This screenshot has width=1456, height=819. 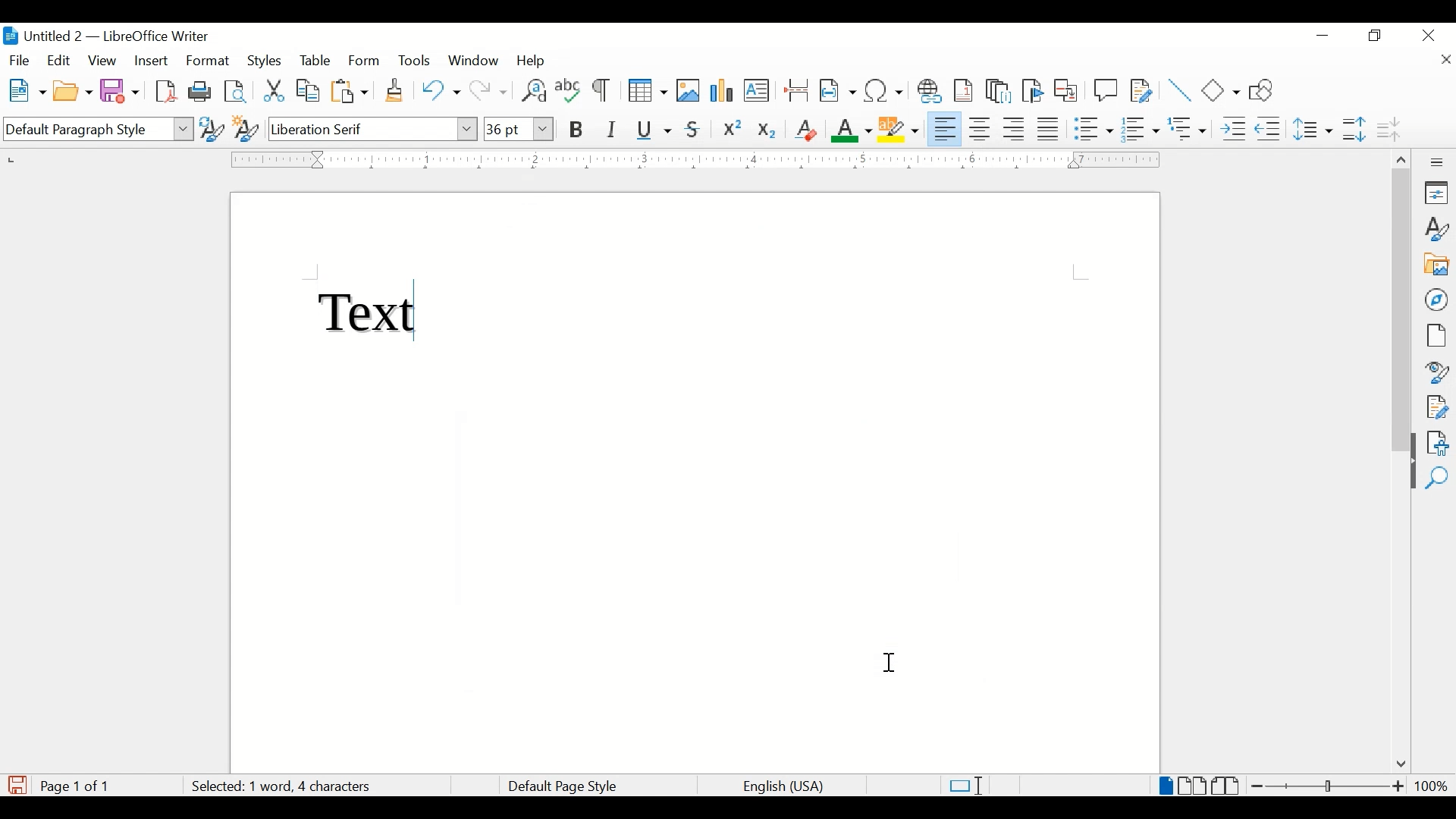 What do you see at coordinates (1445, 61) in the screenshot?
I see `close` at bounding box center [1445, 61].